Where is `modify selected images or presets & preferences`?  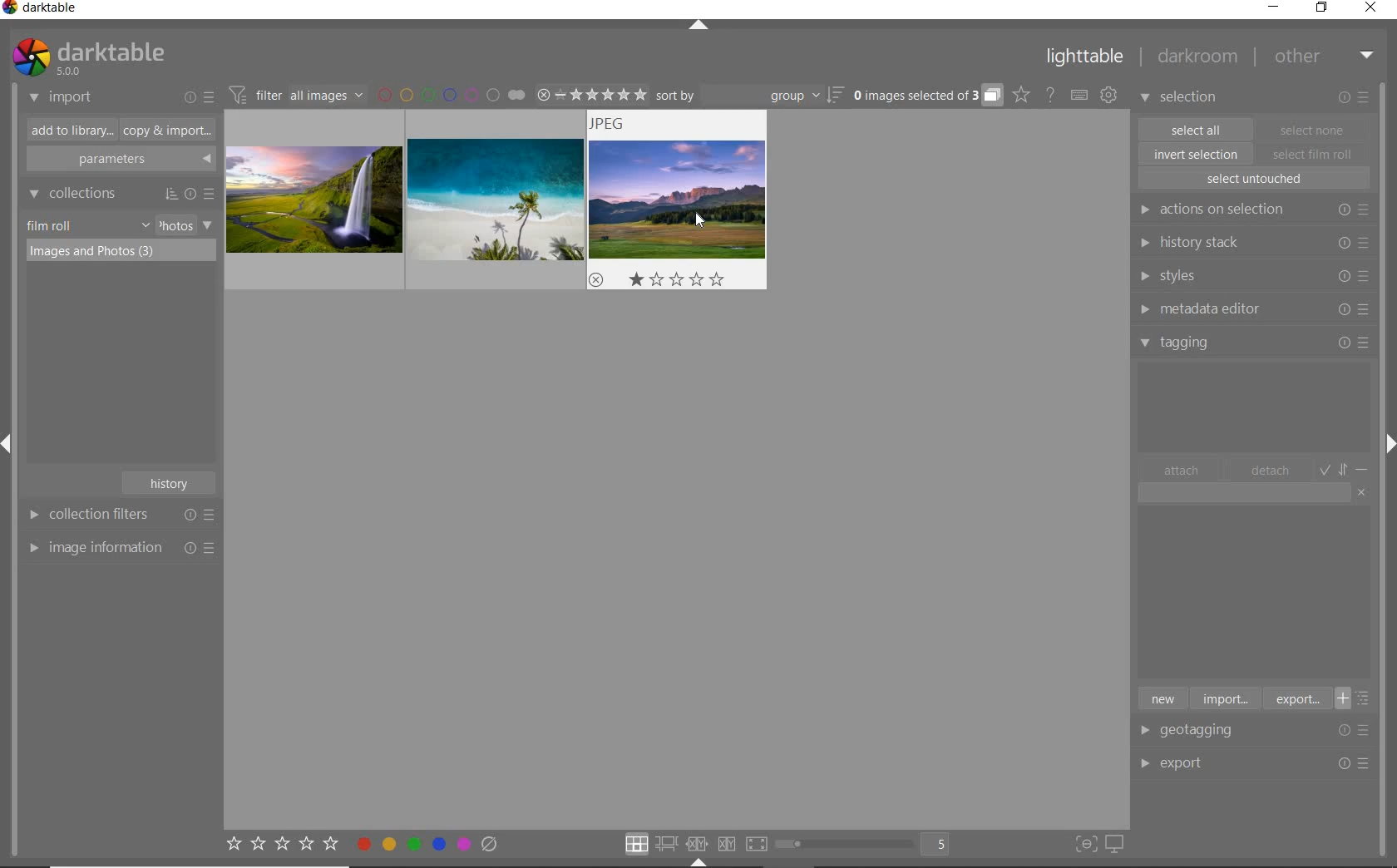
modify selected images or presets & preferences is located at coordinates (1356, 98).